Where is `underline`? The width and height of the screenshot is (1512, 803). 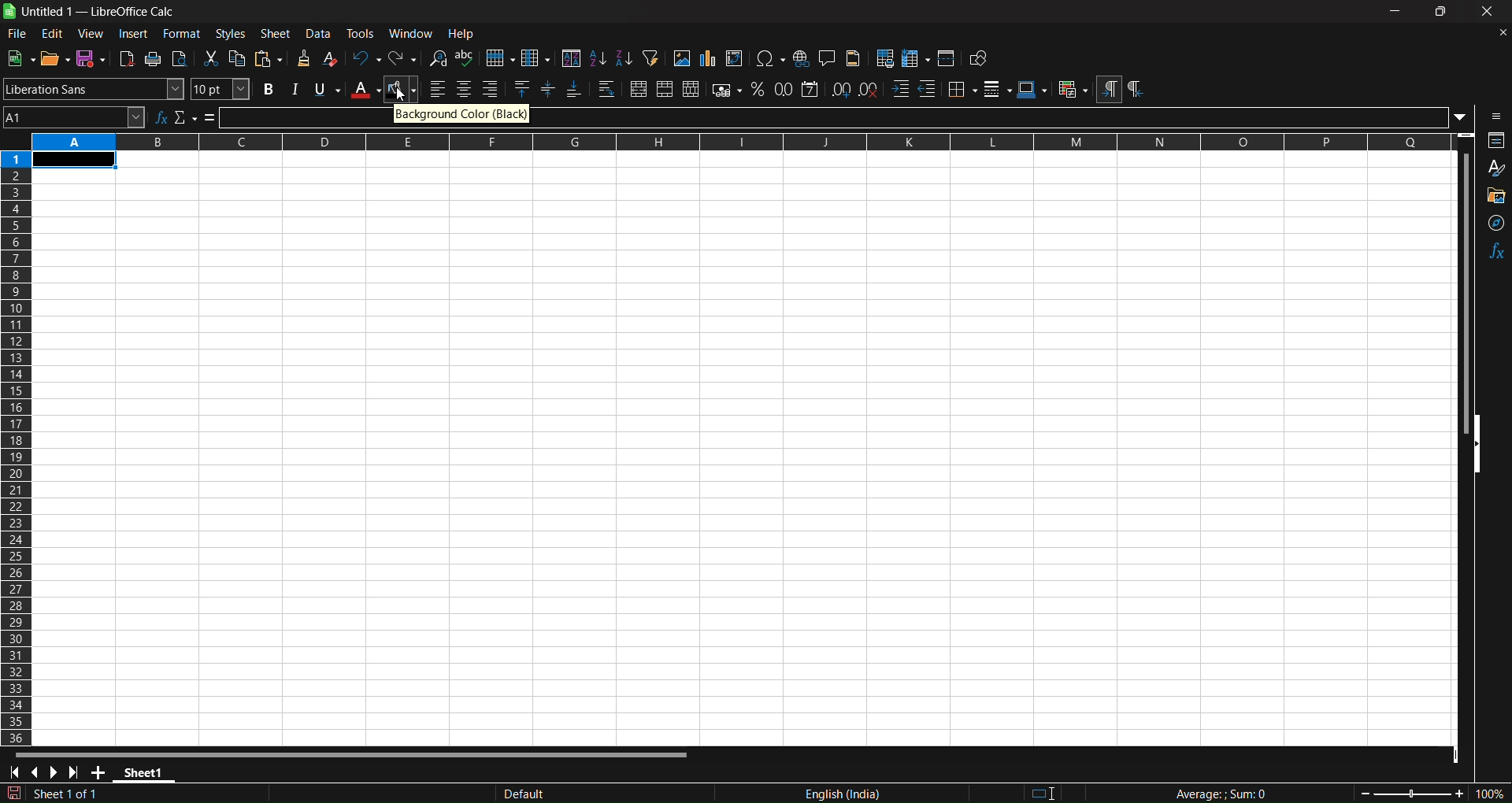 underline is located at coordinates (325, 88).